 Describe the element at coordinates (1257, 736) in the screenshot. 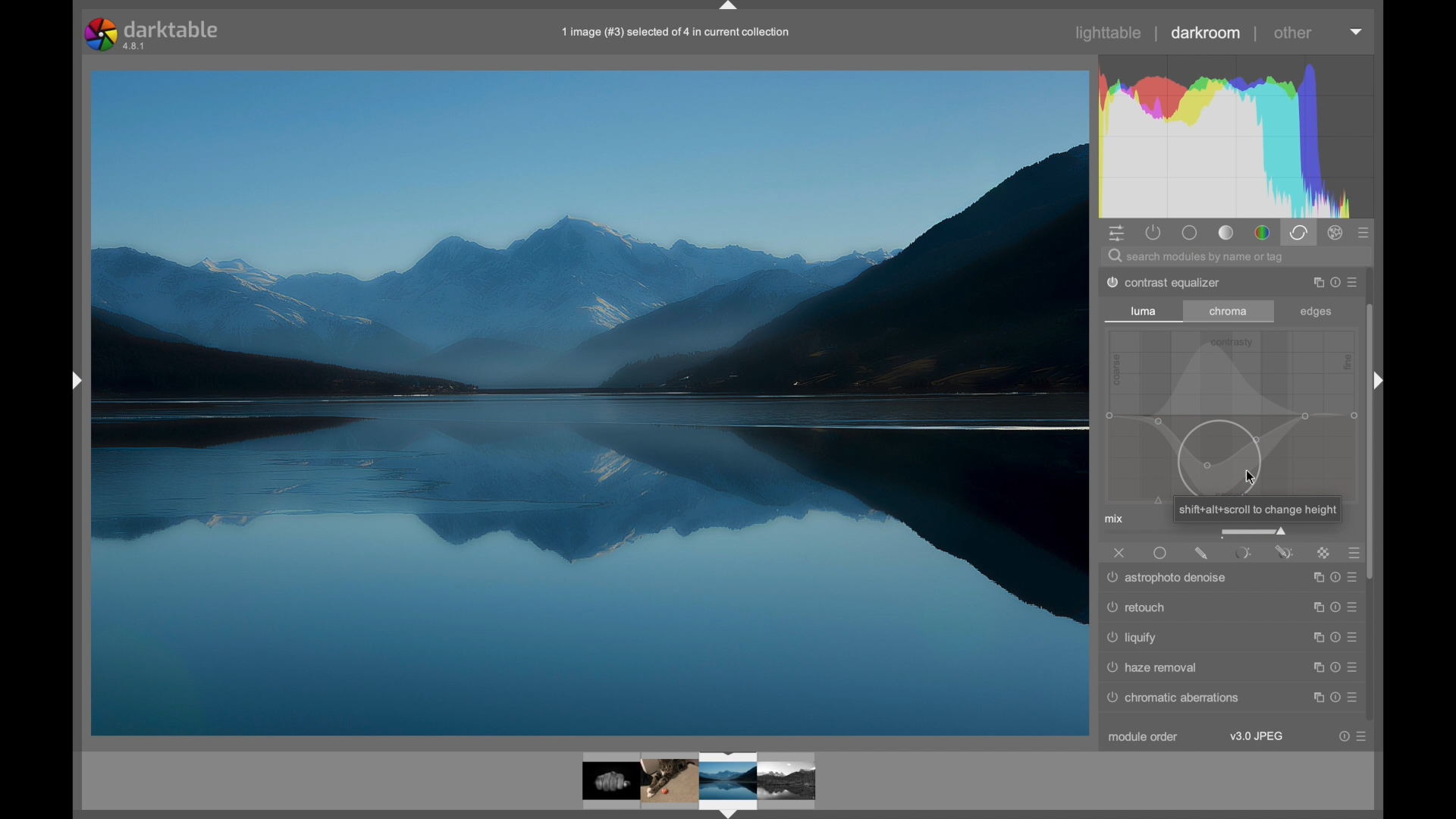

I see `v3.0 jpeg` at that location.